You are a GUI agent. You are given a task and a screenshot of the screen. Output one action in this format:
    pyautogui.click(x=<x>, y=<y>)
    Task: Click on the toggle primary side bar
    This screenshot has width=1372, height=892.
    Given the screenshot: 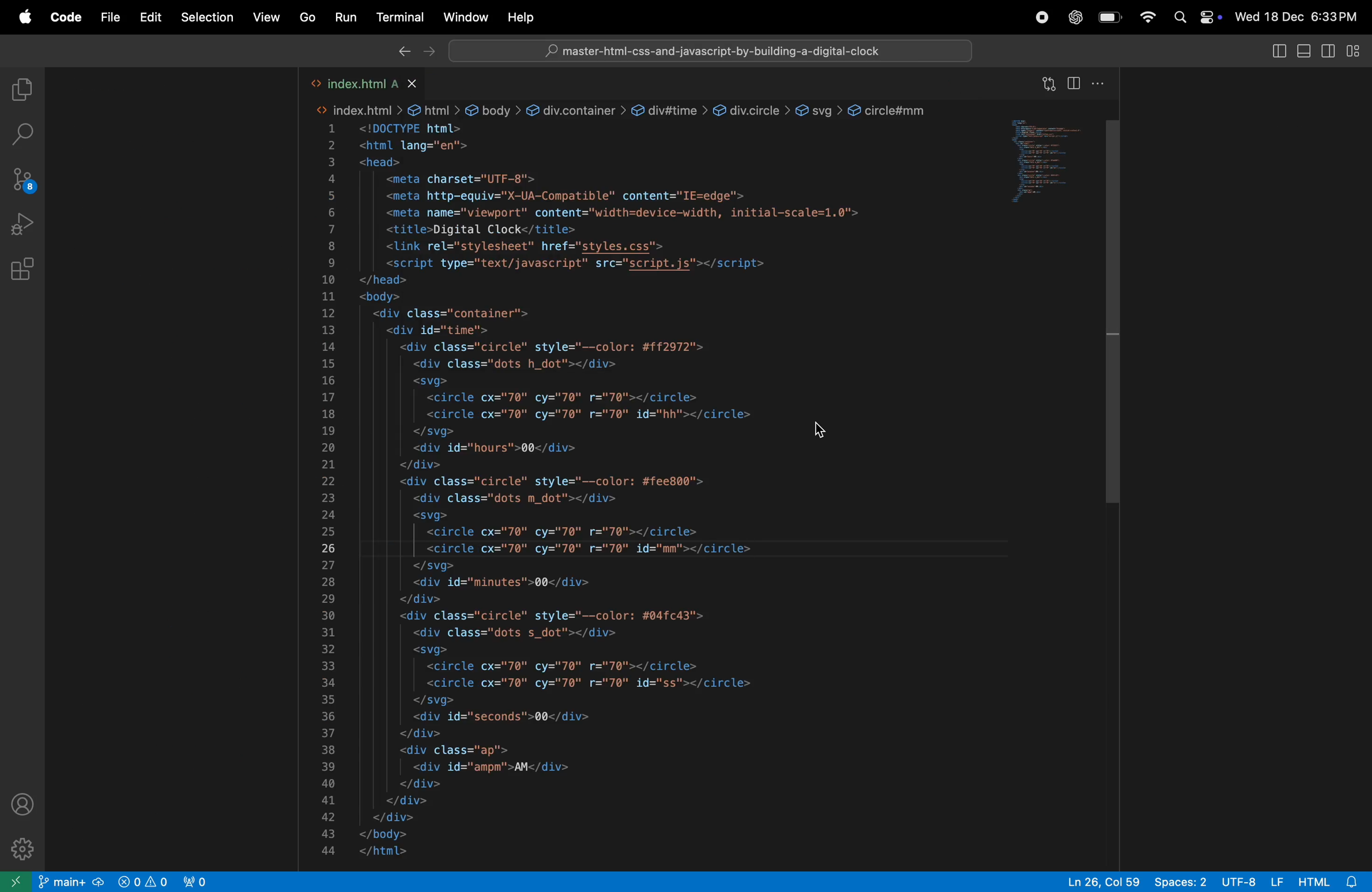 What is the action you would take?
    pyautogui.click(x=1277, y=50)
    